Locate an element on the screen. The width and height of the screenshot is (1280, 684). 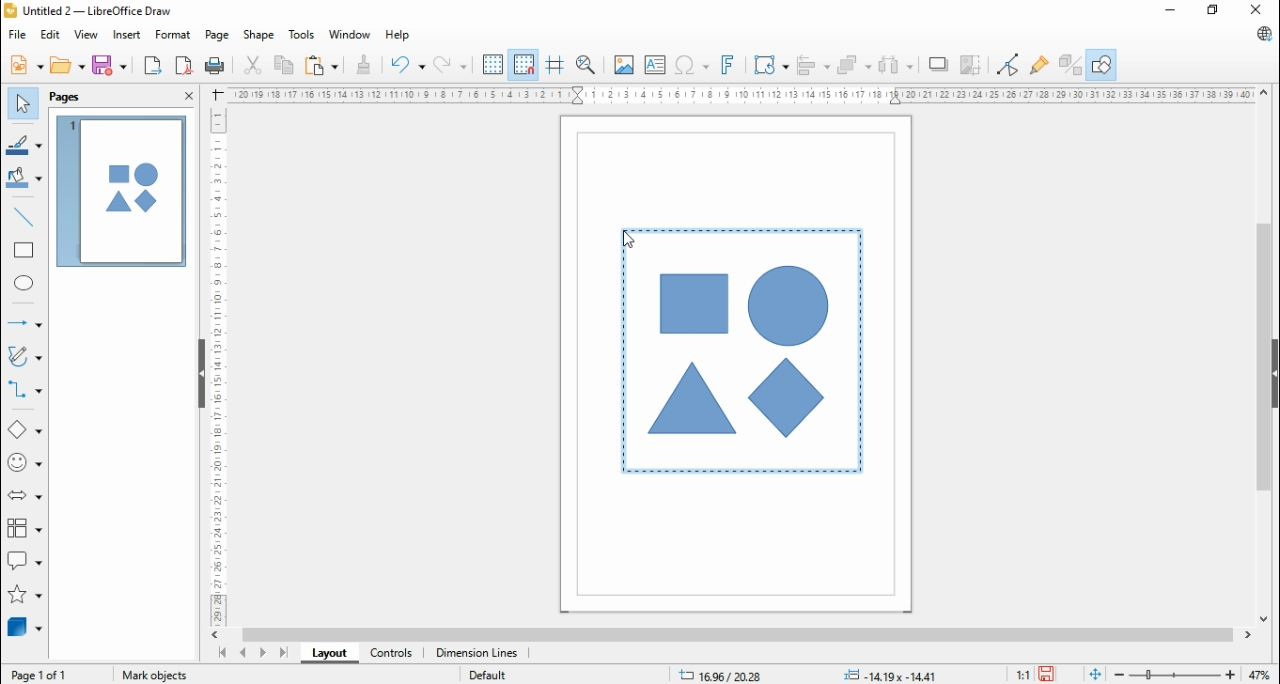
window is located at coordinates (351, 34).